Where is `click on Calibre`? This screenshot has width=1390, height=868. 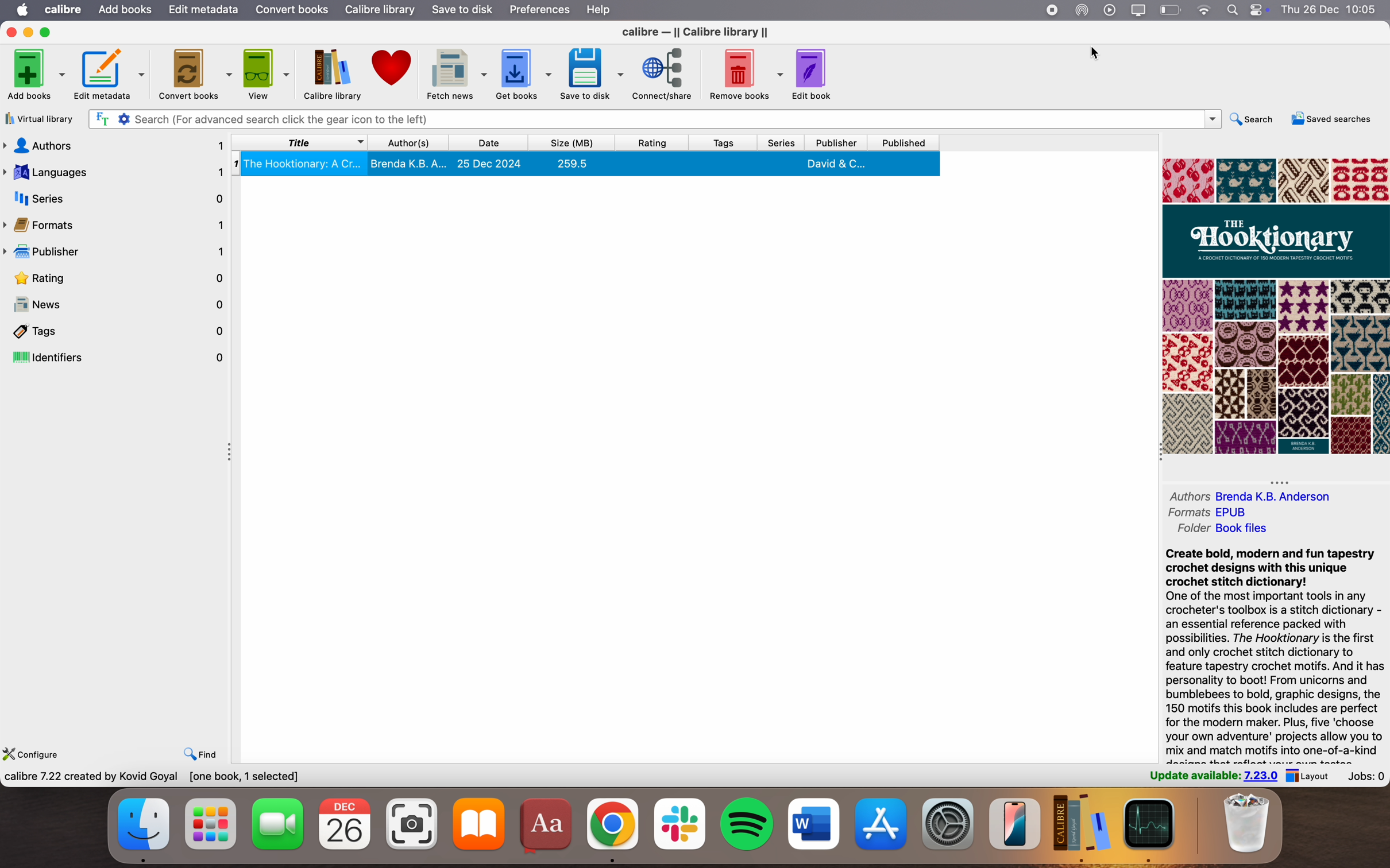 click on Calibre is located at coordinates (1081, 824).